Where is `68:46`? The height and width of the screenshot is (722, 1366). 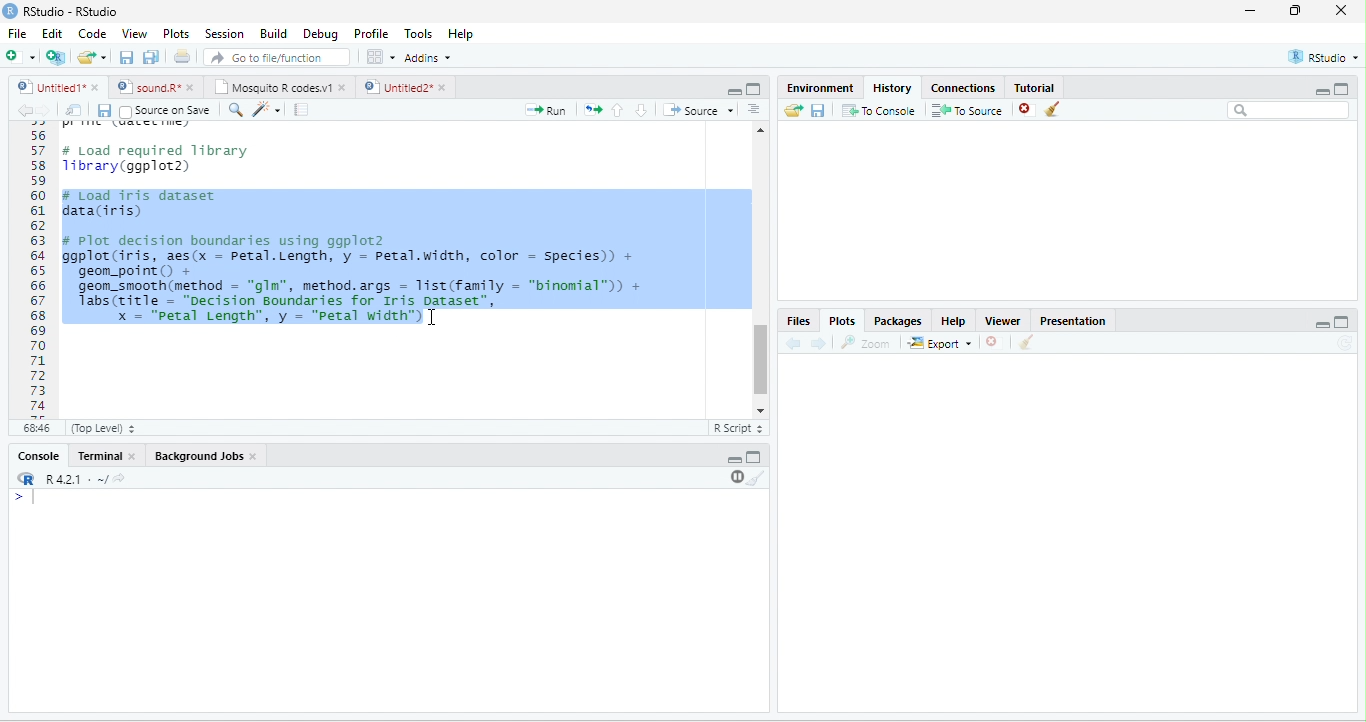 68:46 is located at coordinates (36, 428).